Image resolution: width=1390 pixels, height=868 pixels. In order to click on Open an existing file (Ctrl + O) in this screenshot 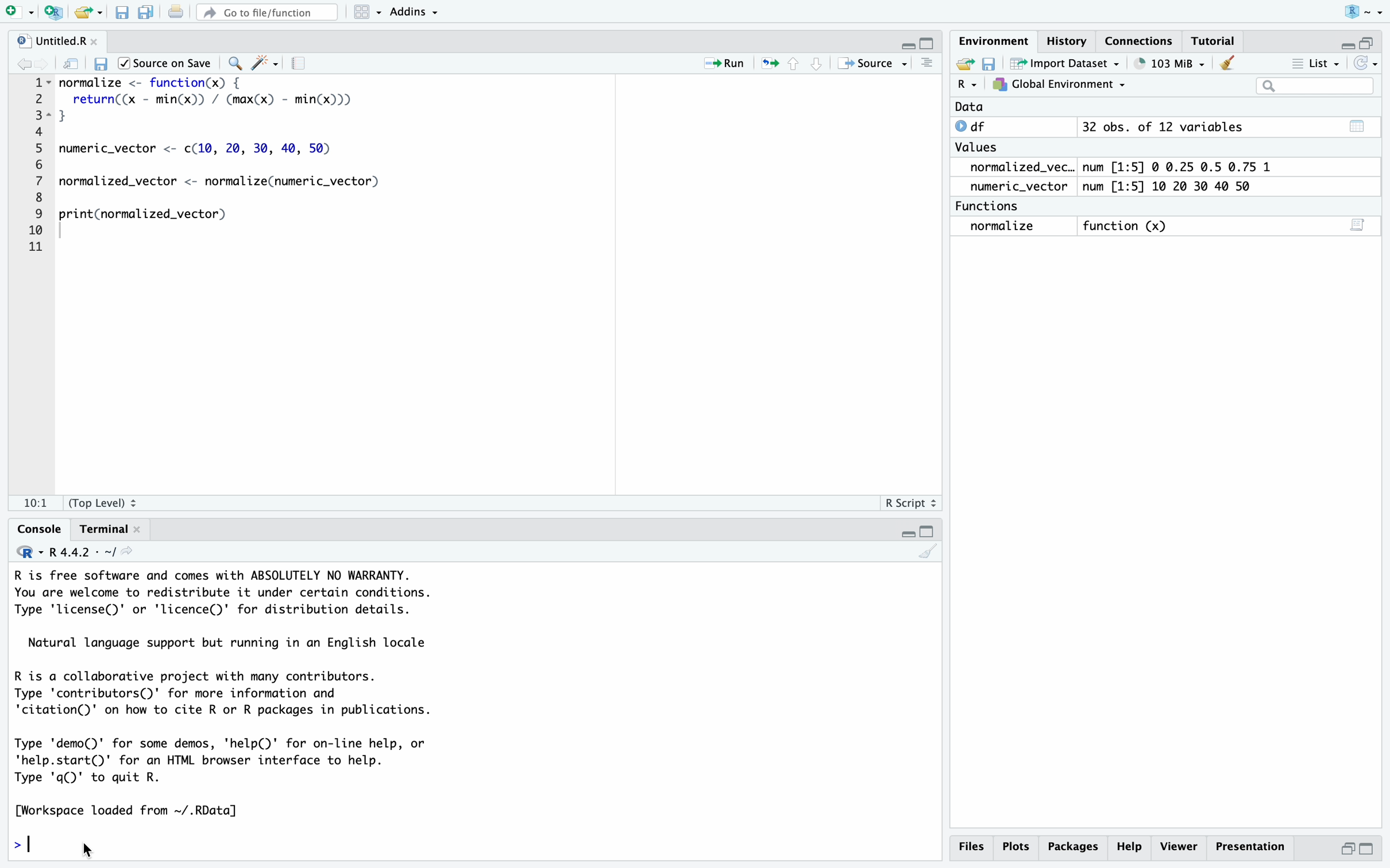, I will do `click(88, 14)`.